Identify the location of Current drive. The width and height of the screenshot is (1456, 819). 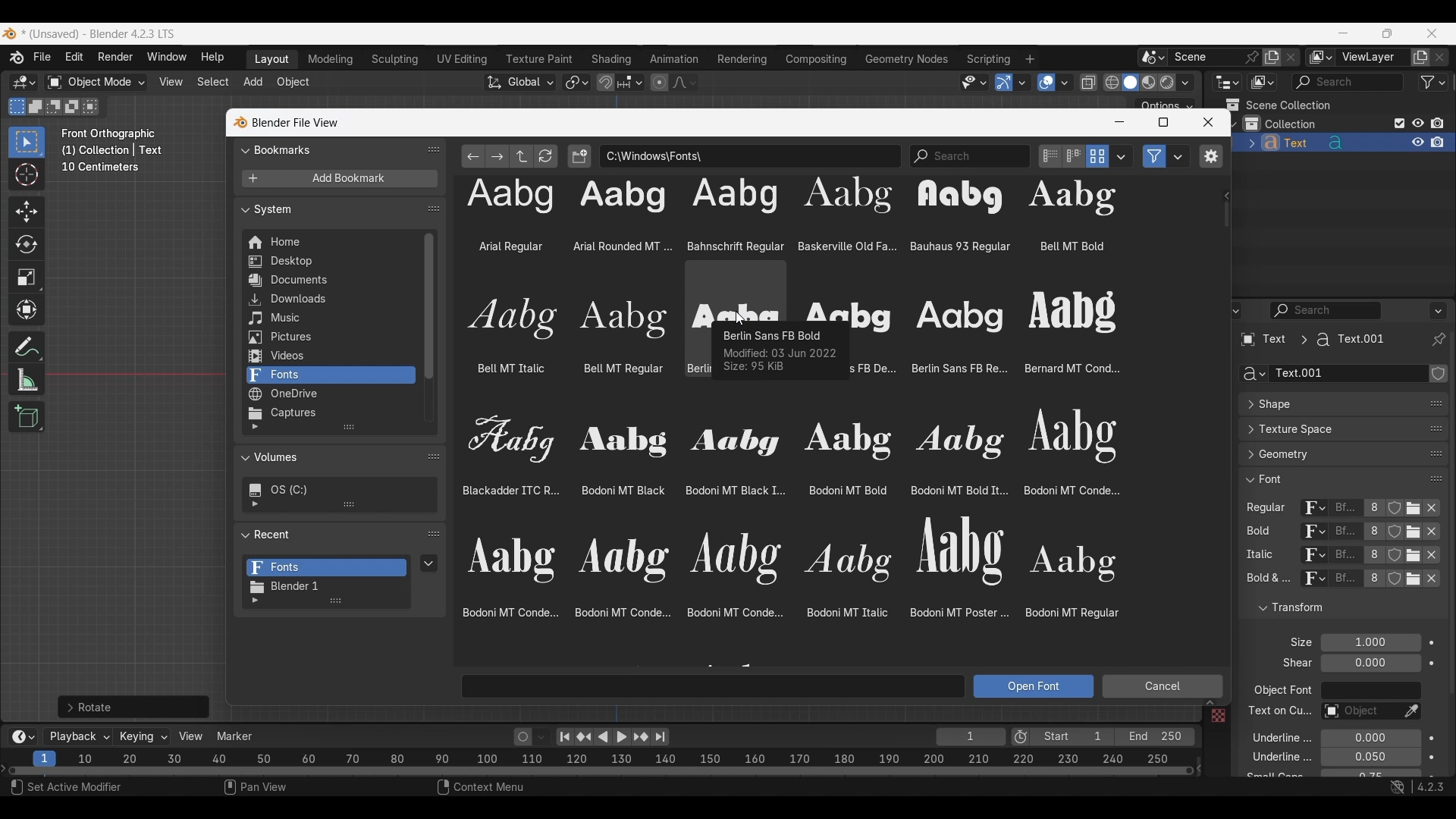
(334, 490).